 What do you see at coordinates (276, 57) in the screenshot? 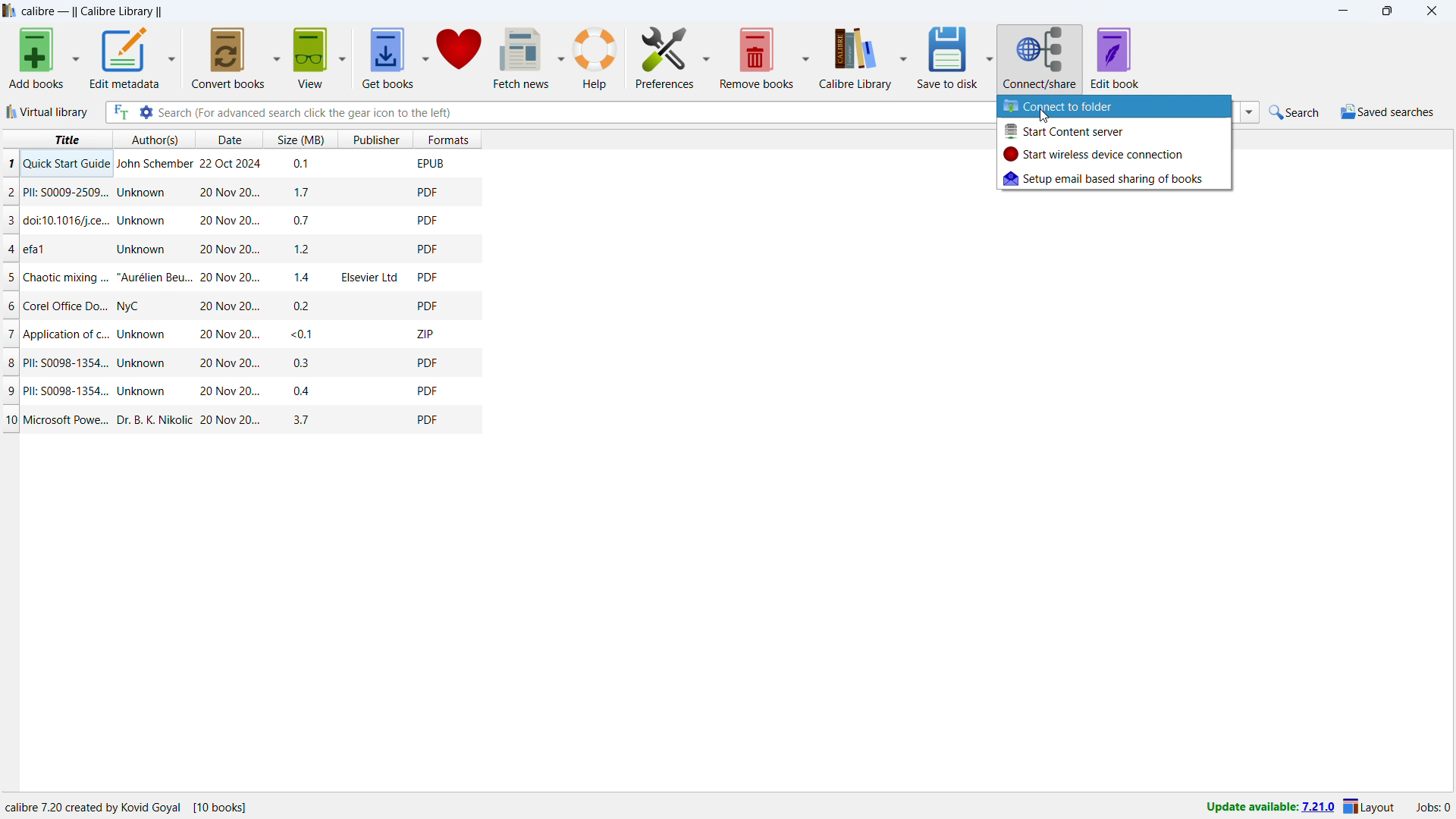
I see `convert books options` at bounding box center [276, 57].